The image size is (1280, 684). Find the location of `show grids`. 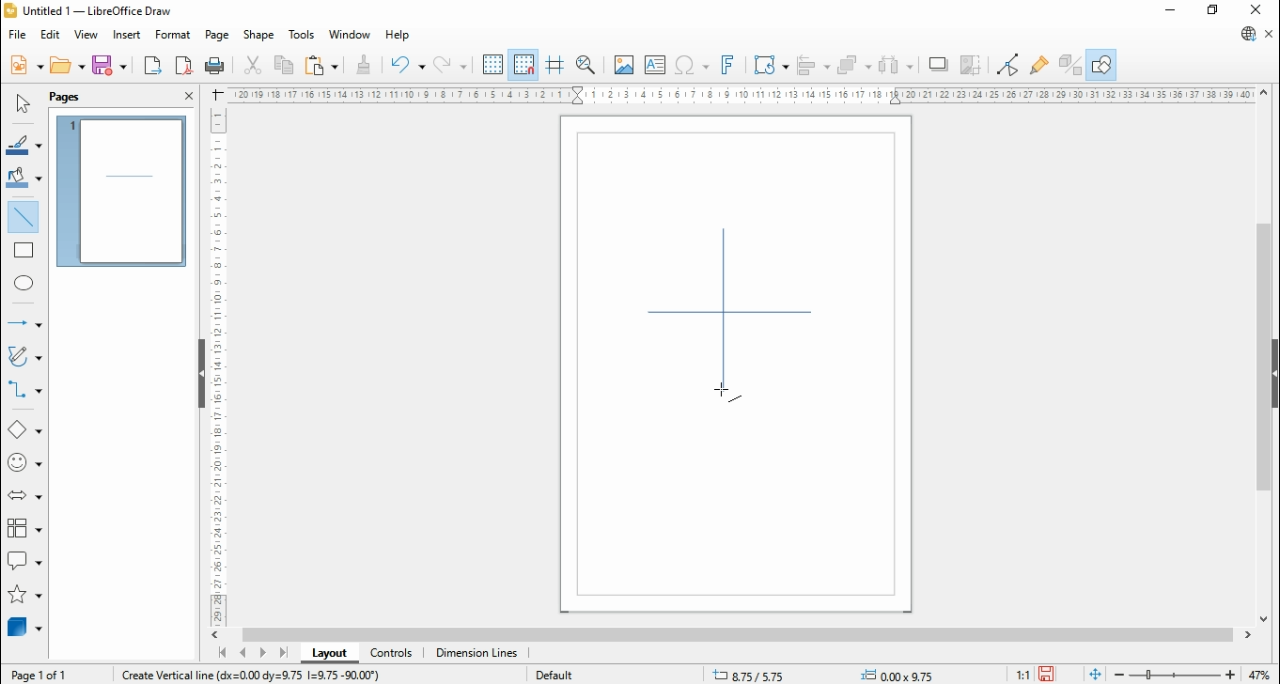

show grids is located at coordinates (493, 64).